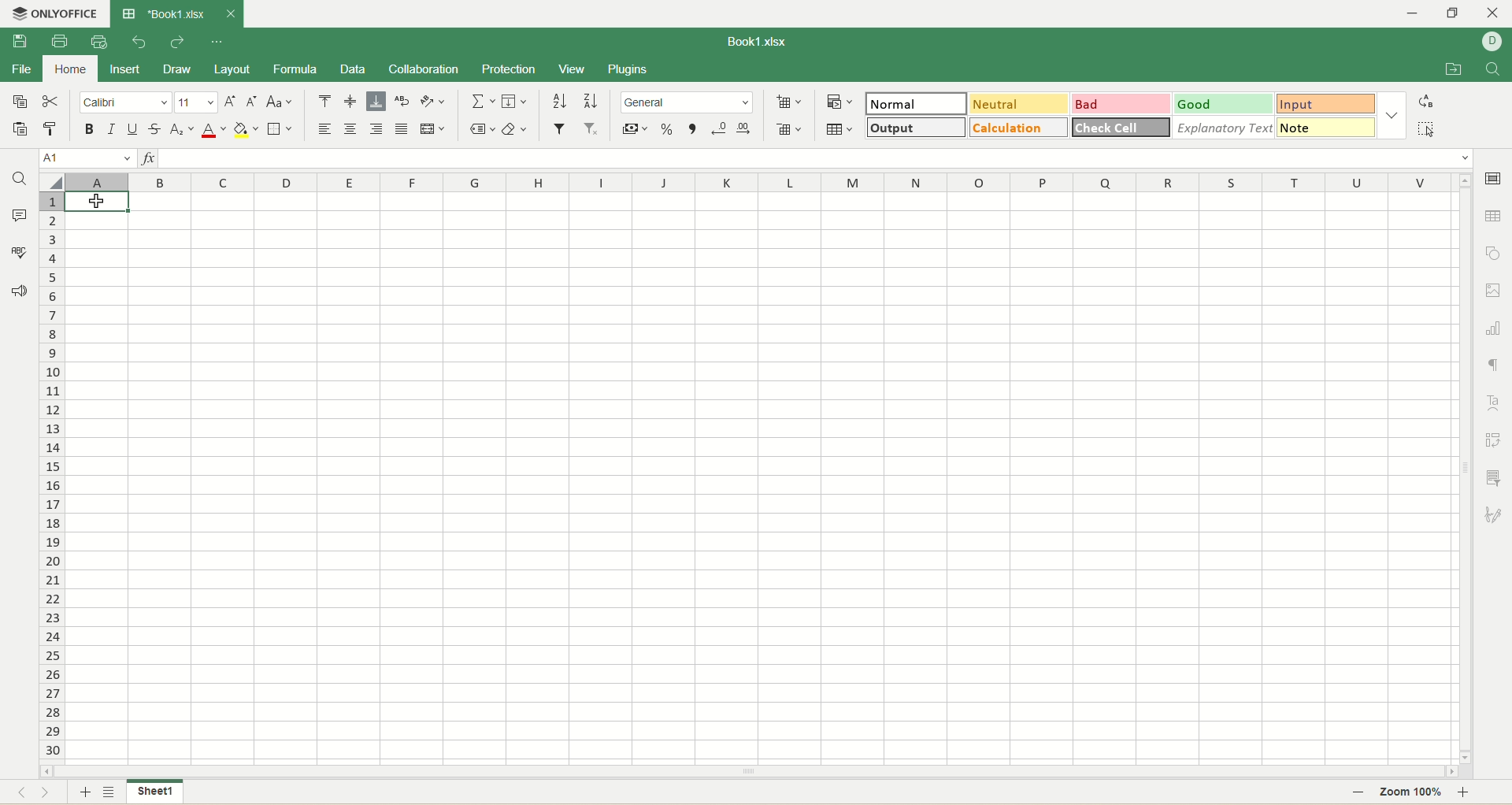 Image resolution: width=1512 pixels, height=805 pixels. I want to click on object settings, so click(1494, 252).